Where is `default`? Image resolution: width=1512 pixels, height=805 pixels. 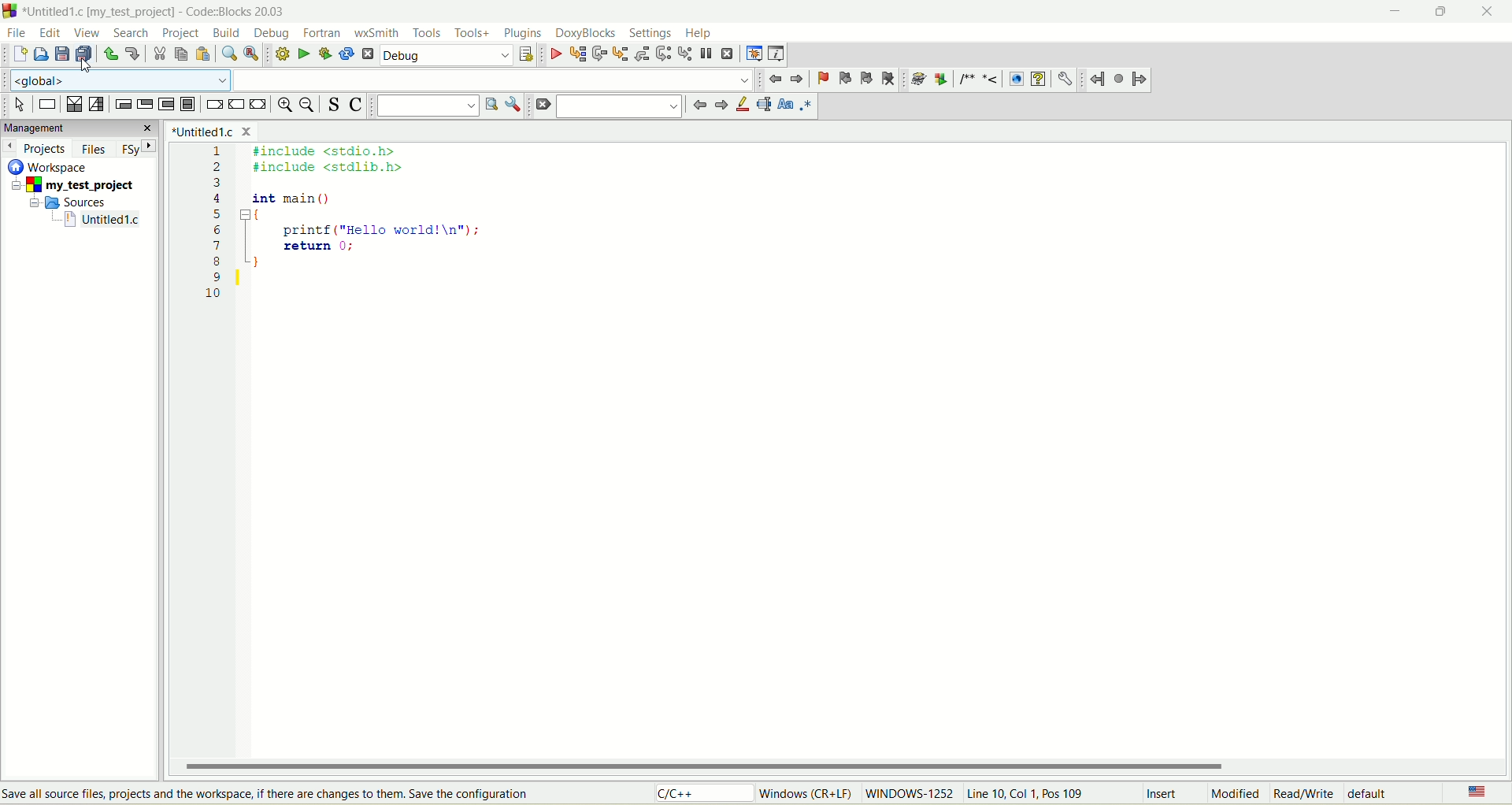
default is located at coordinates (1379, 795).